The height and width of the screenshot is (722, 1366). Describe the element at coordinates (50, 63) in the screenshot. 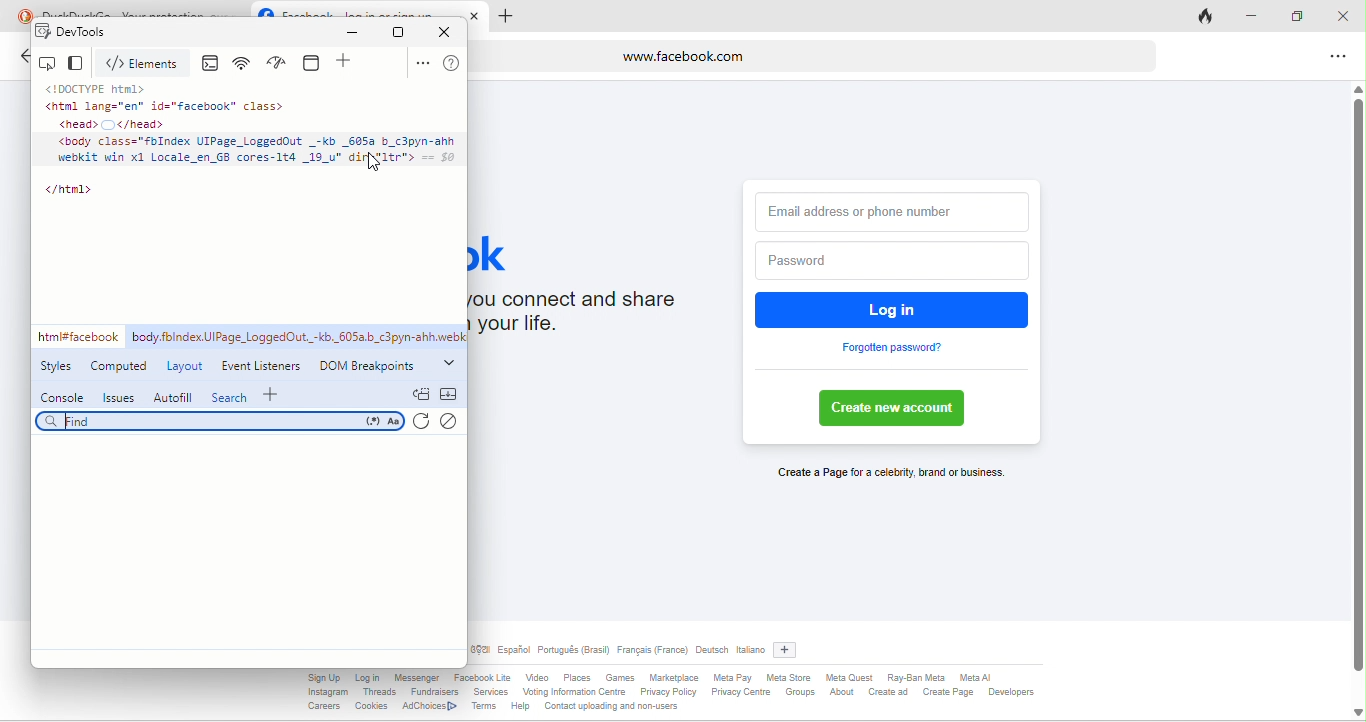

I see `inspect` at that location.